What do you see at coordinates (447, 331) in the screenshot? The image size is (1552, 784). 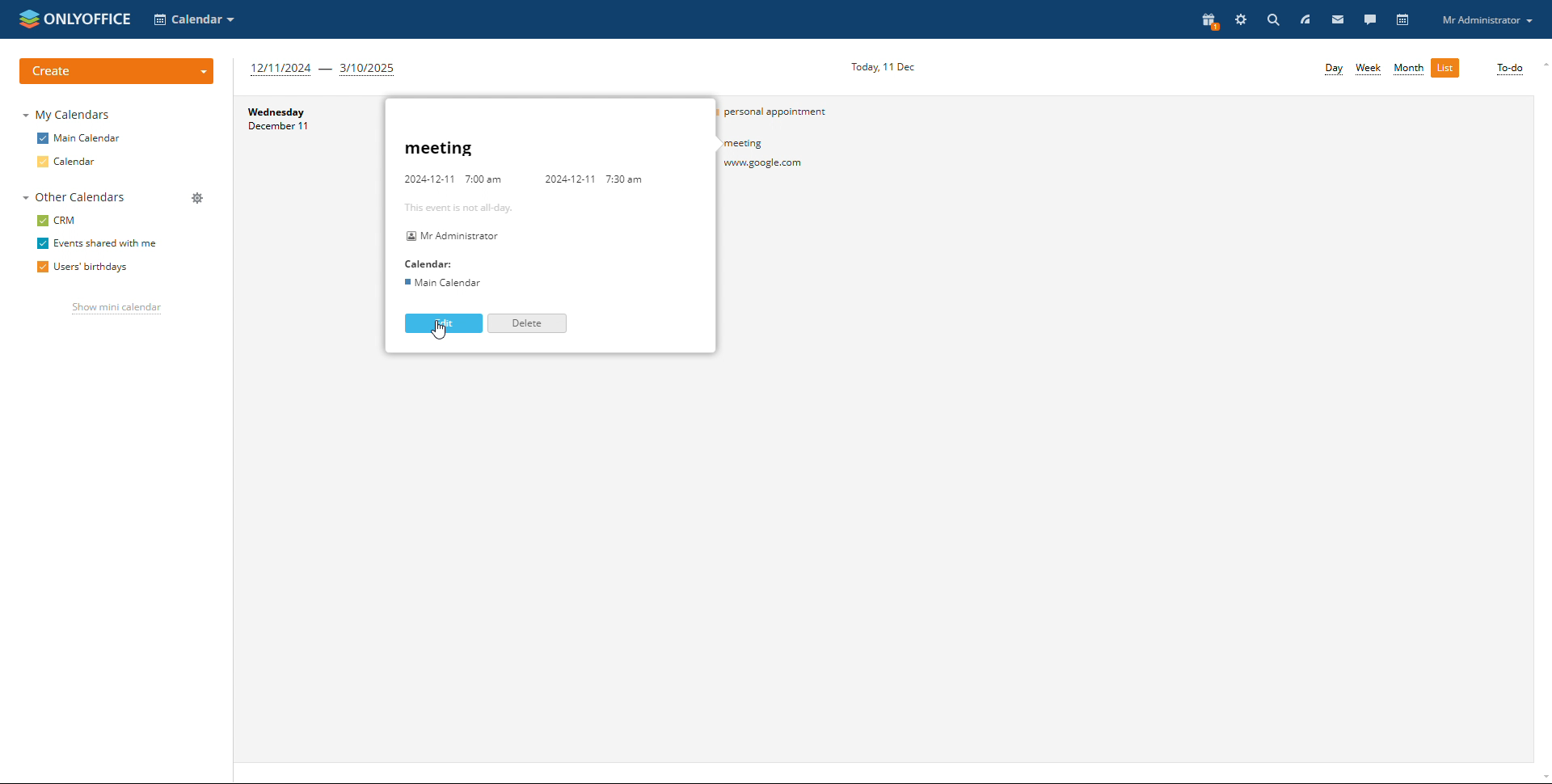 I see `cursor` at bounding box center [447, 331].